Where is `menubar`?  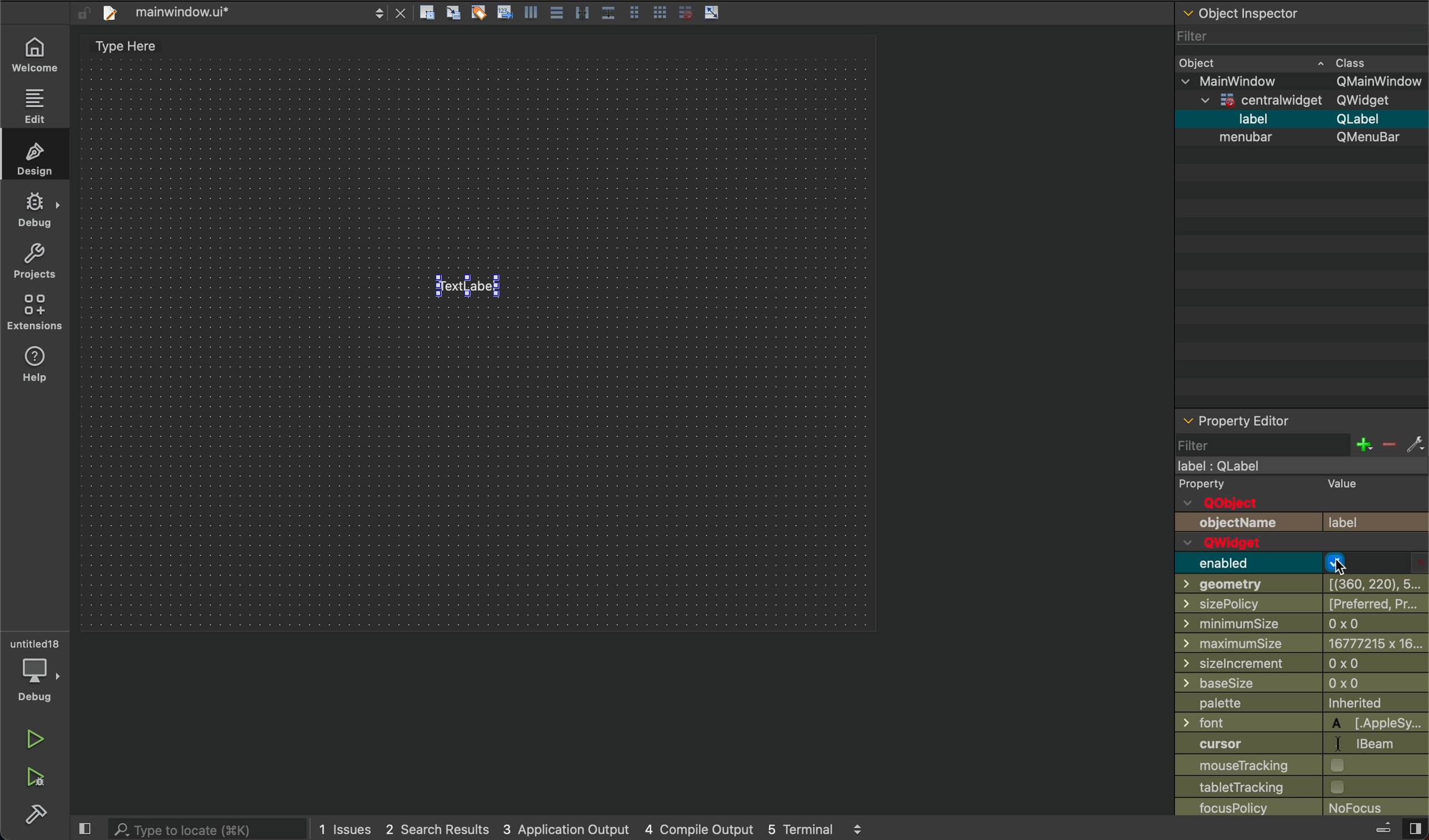
menubar is located at coordinates (1244, 138).